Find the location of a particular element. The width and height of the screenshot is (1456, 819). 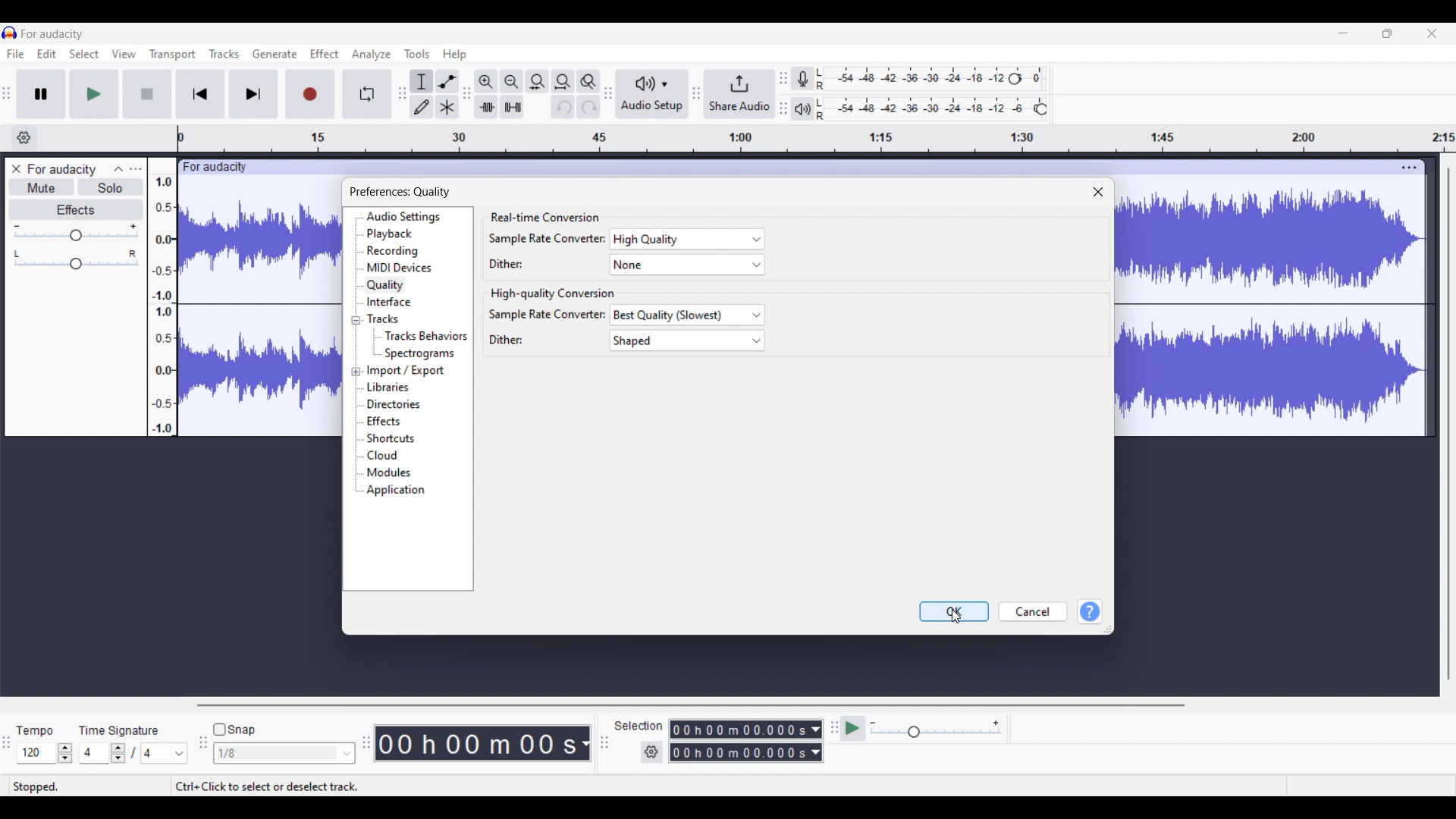

Pan to right is located at coordinates (133, 253).